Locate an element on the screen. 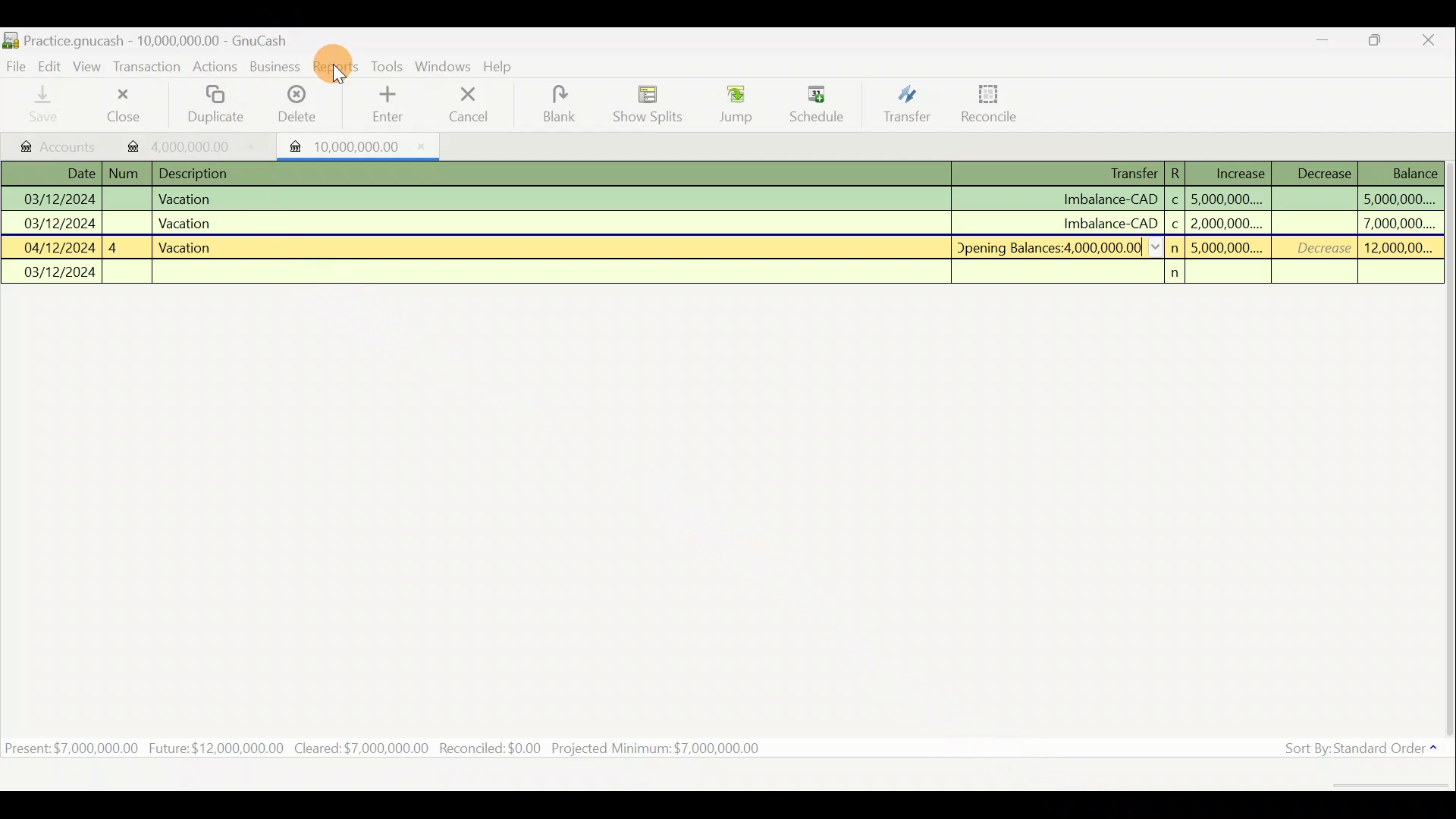 The width and height of the screenshot is (1456, 819). Actions is located at coordinates (215, 66).